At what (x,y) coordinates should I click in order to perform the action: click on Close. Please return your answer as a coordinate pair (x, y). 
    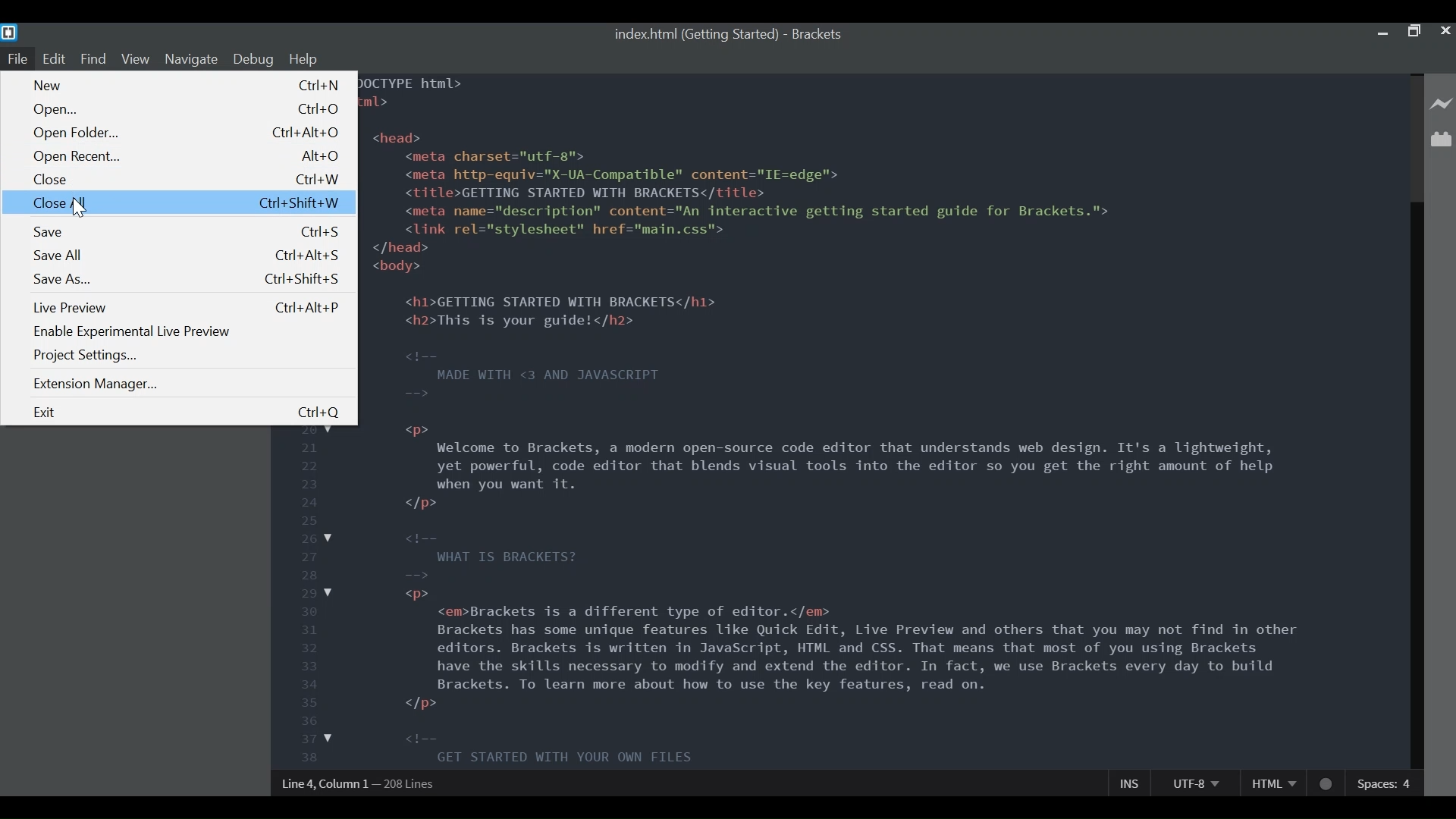
    Looking at the image, I should click on (184, 180).